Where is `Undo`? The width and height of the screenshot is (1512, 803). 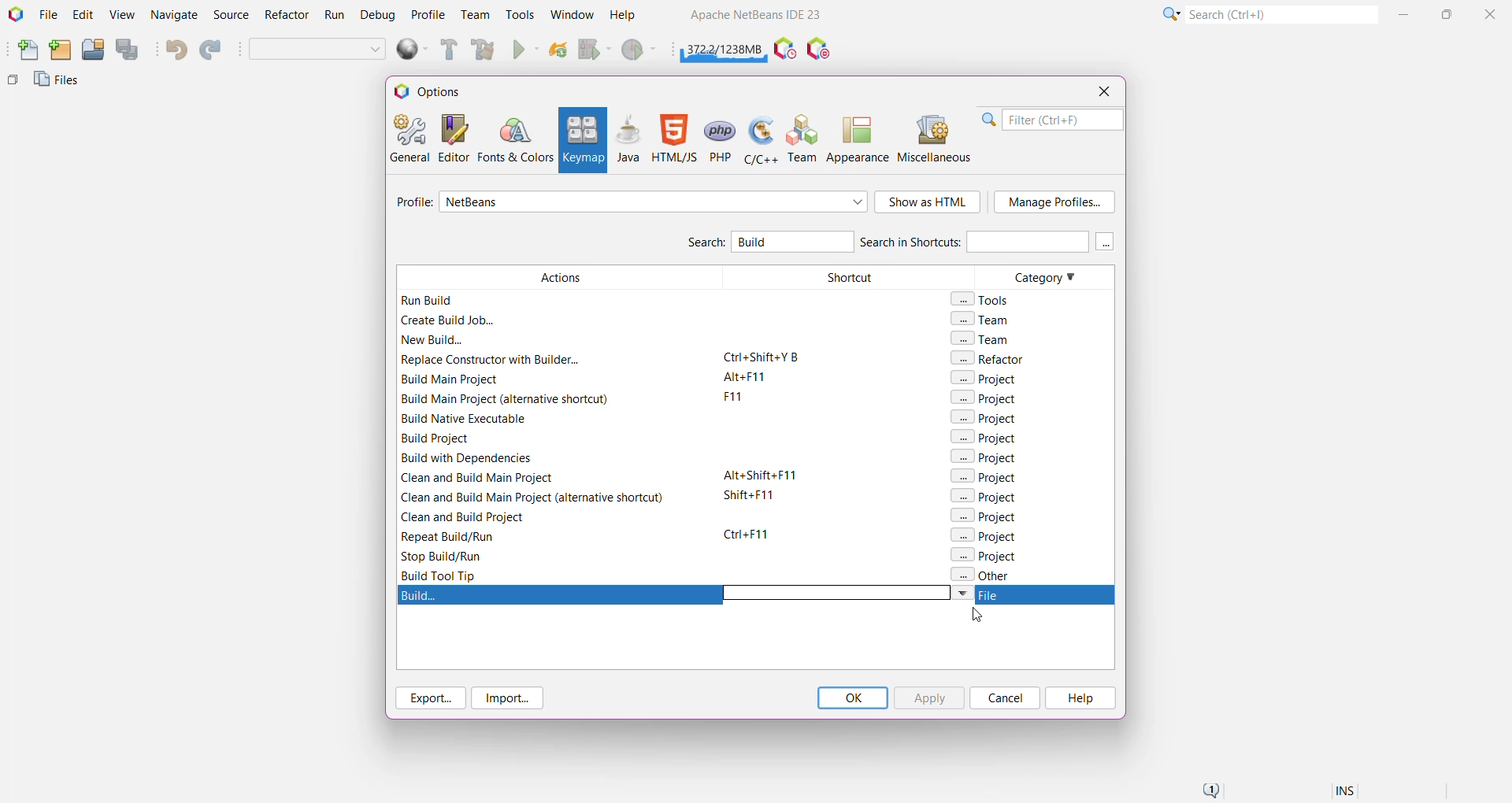 Undo is located at coordinates (175, 50).